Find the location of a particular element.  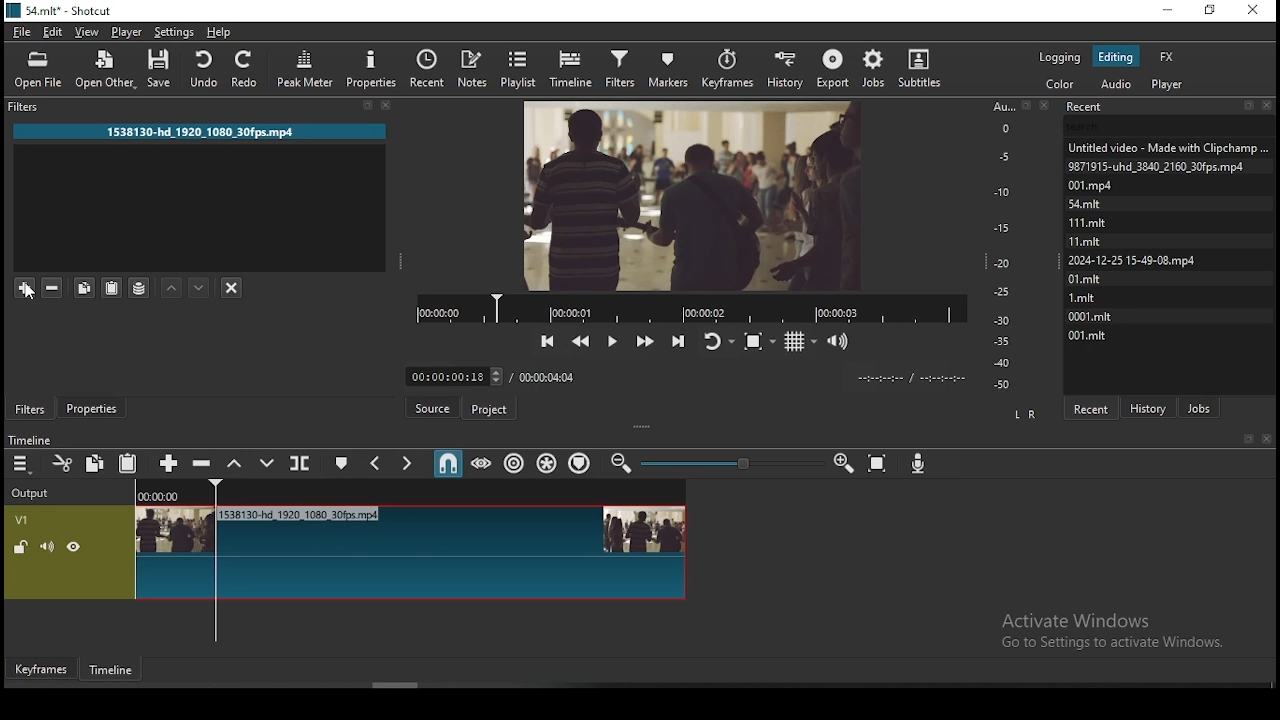

player is located at coordinates (125, 33).